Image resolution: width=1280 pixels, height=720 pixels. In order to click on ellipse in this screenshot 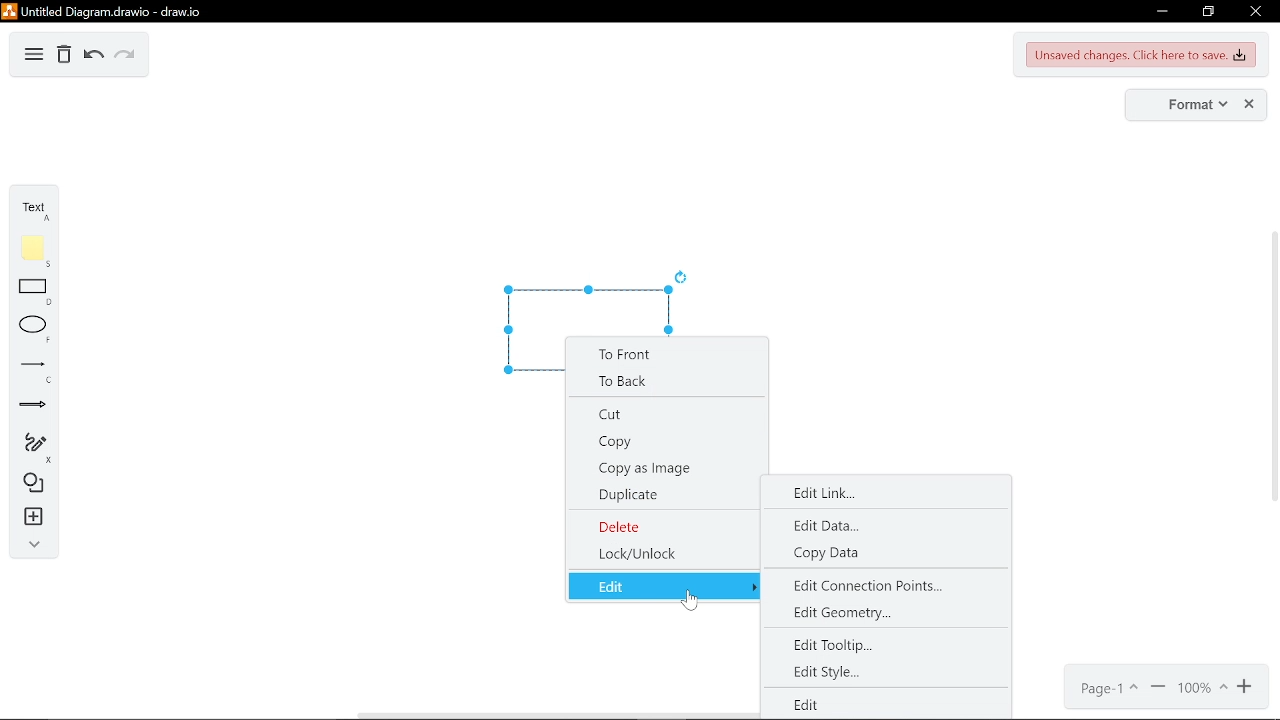, I will do `click(35, 330)`.